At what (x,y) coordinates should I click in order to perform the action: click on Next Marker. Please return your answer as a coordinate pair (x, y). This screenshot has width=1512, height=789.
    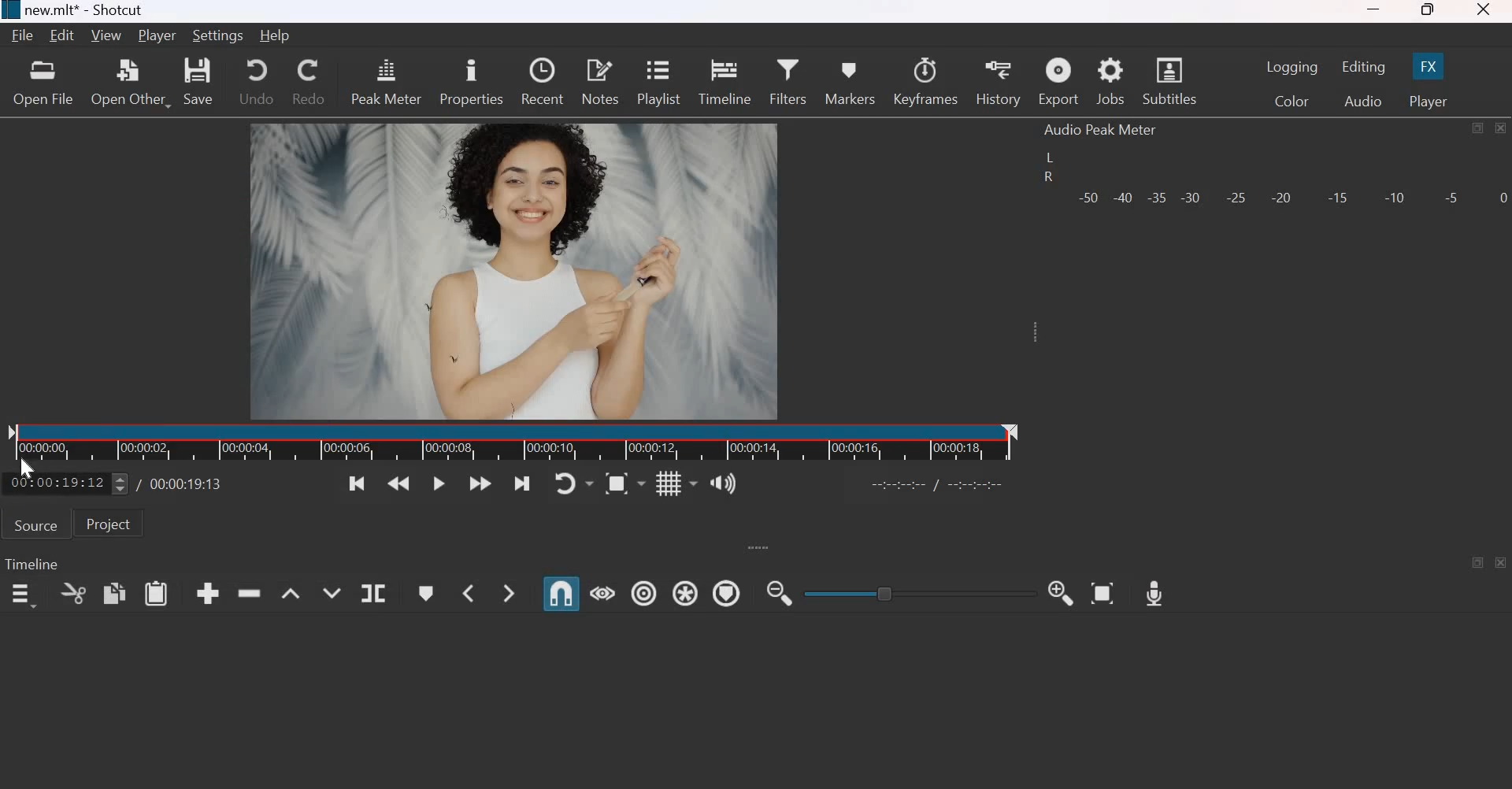
    Looking at the image, I should click on (509, 591).